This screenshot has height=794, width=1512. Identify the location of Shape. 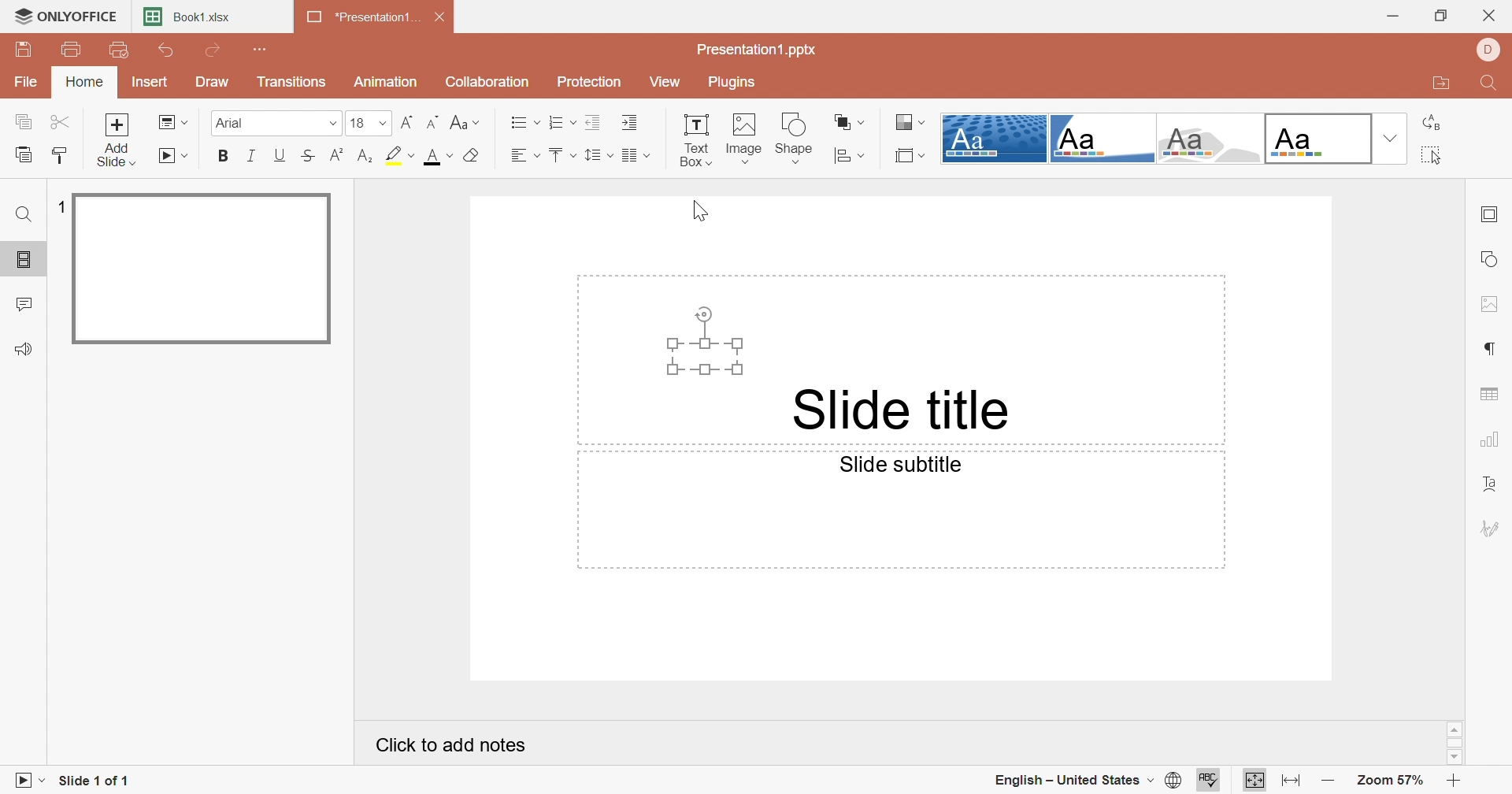
(797, 123).